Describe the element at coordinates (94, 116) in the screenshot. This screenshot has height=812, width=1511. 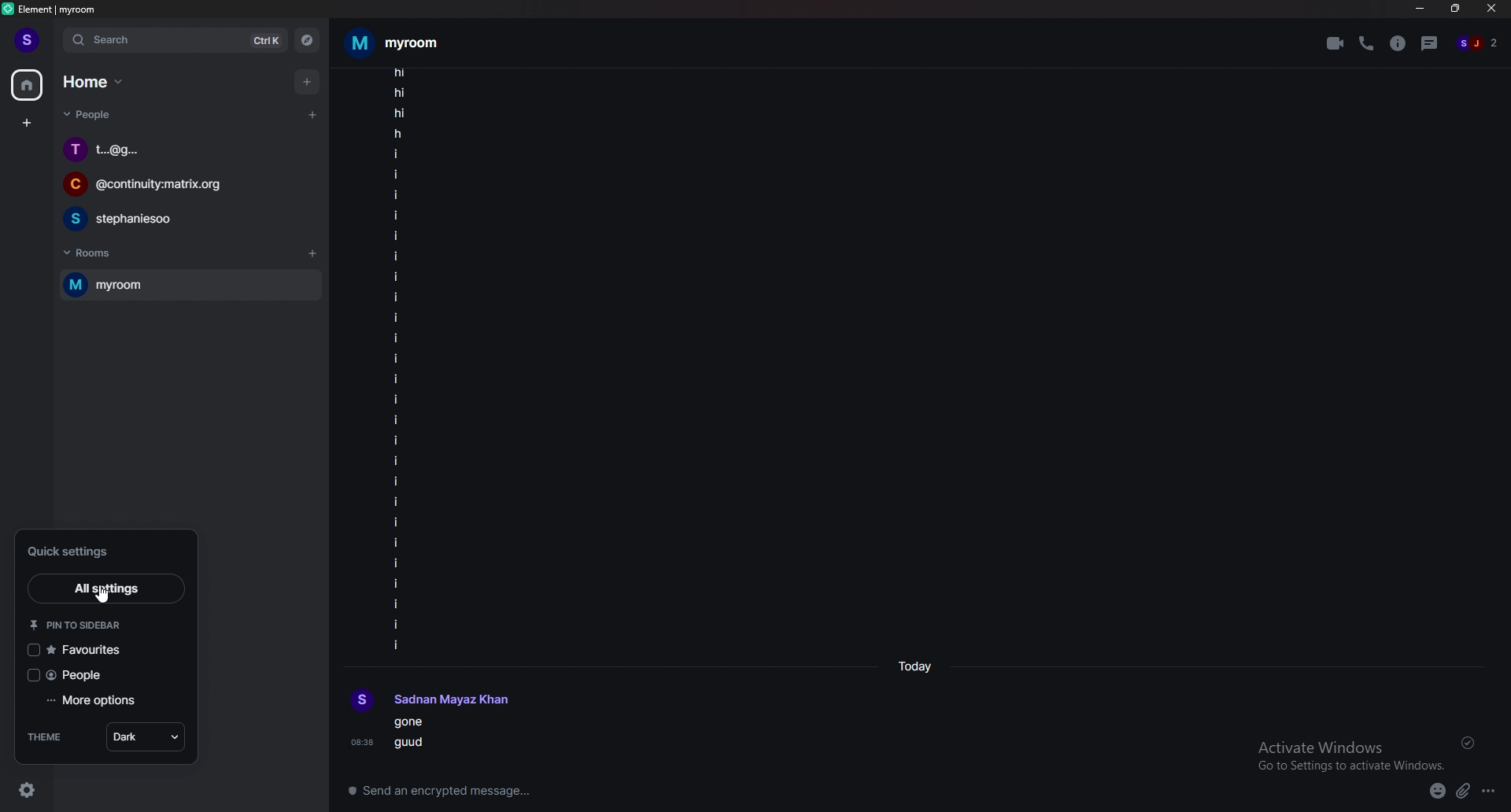
I see `People` at that location.